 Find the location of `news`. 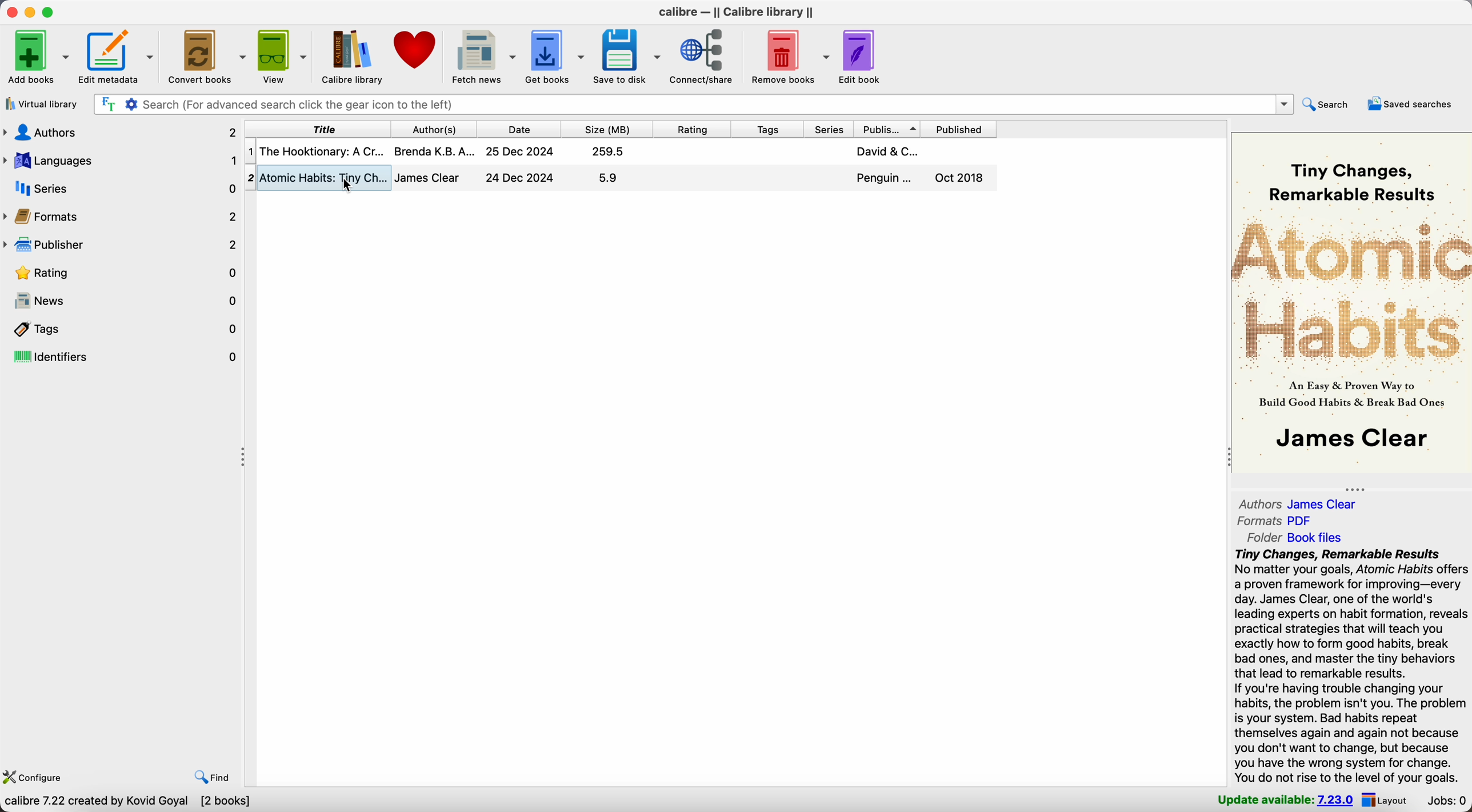

news is located at coordinates (122, 301).